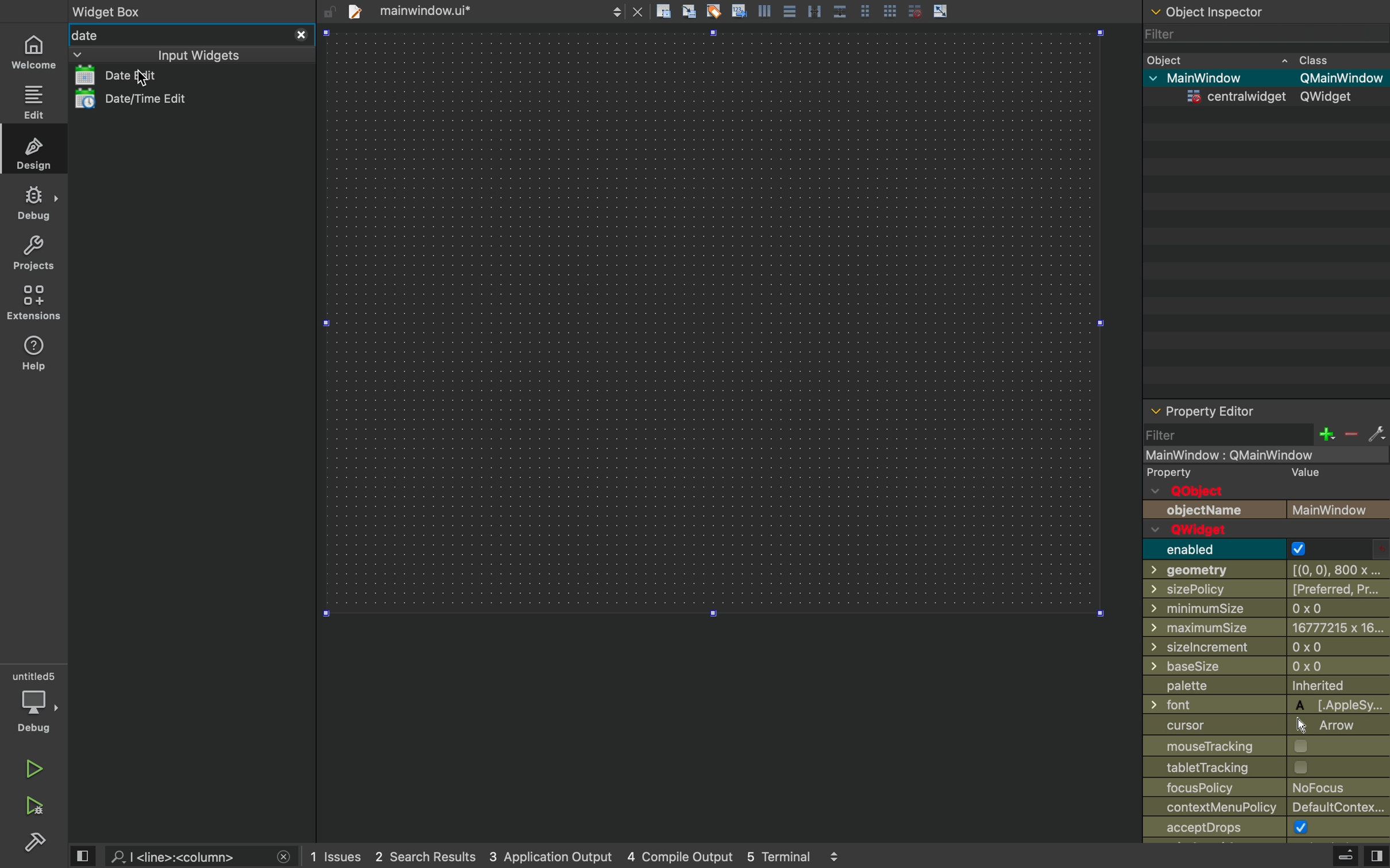 The height and width of the screenshot is (868, 1390). What do you see at coordinates (165, 55) in the screenshot?
I see `input widgets` at bounding box center [165, 55].